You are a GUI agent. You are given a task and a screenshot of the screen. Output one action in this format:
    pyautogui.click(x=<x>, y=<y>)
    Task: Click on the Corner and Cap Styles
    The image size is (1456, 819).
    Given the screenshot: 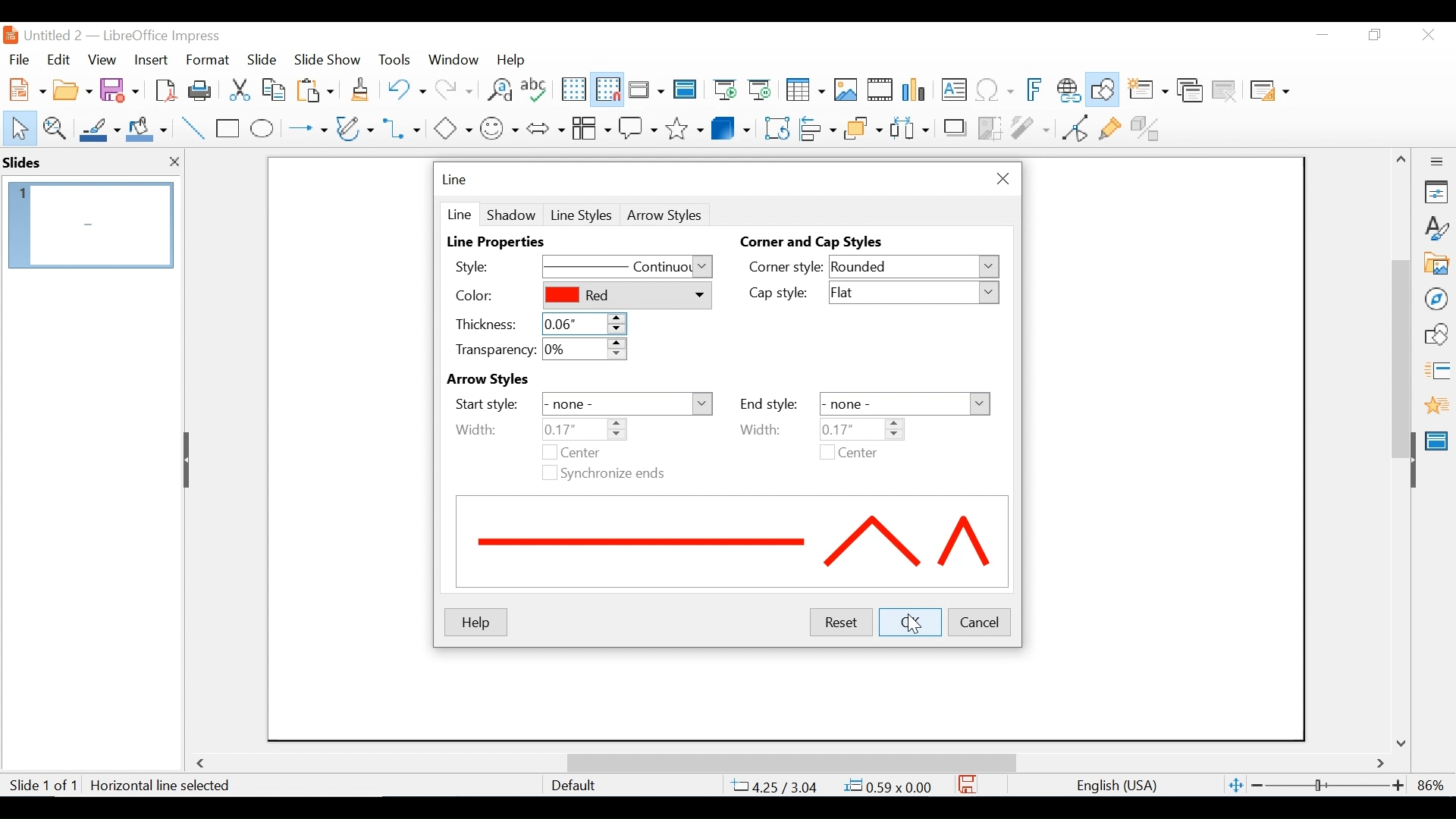 What is the action you would take?
    pyautogui.click(x=815, y=243)
    